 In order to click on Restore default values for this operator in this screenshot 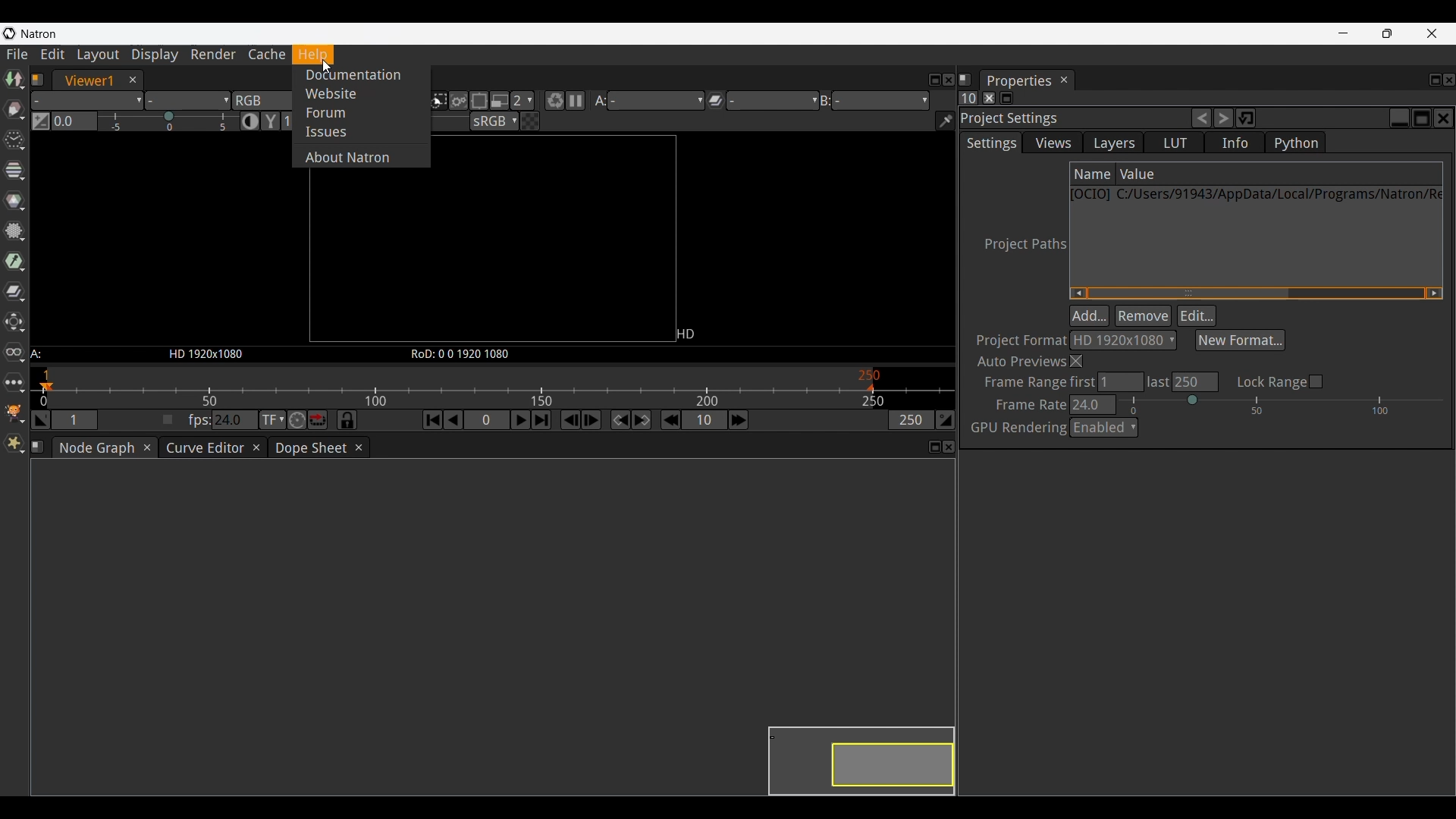, I will do `click(1246, 118)`.